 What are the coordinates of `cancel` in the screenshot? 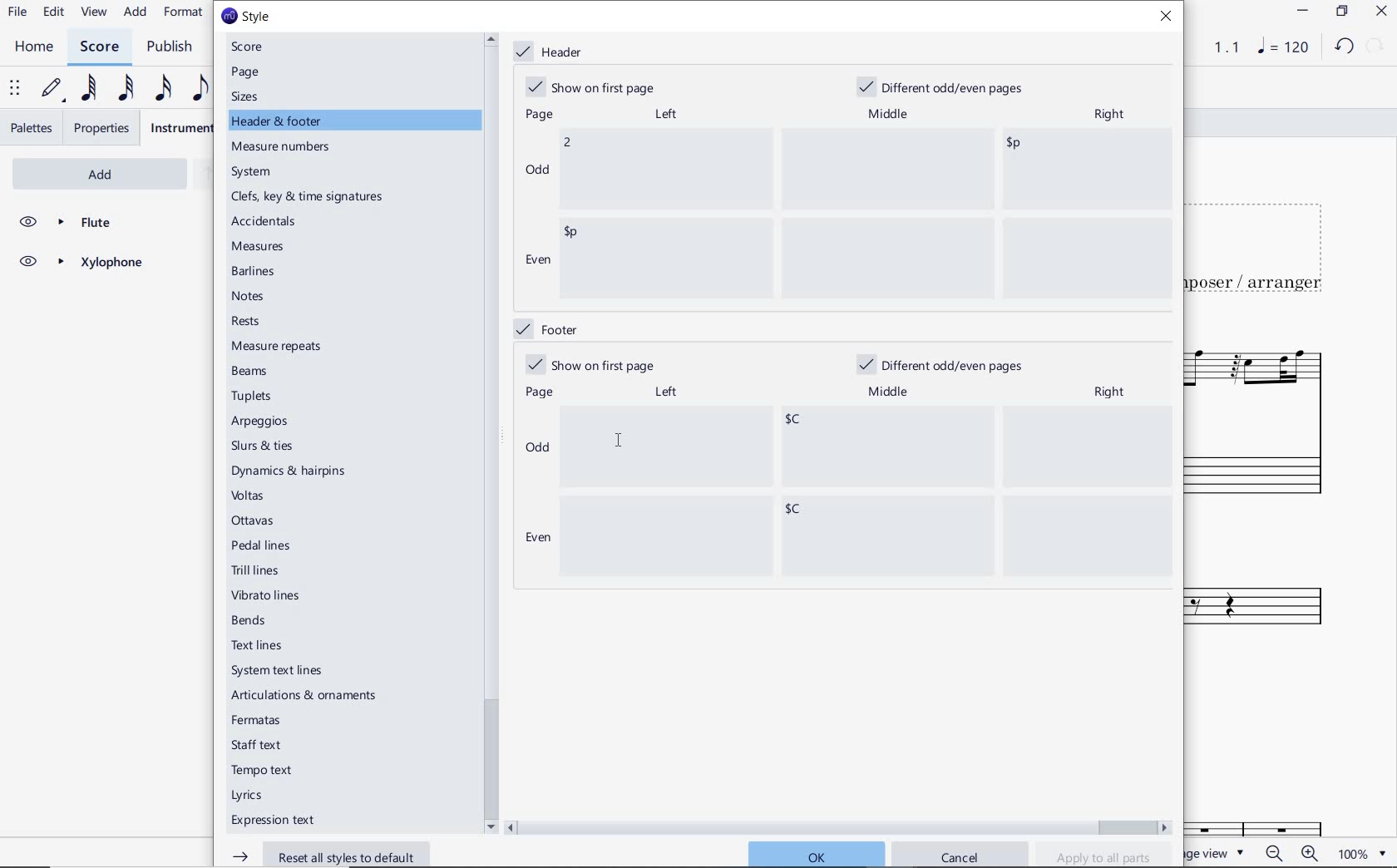 It's located at (960, 855).